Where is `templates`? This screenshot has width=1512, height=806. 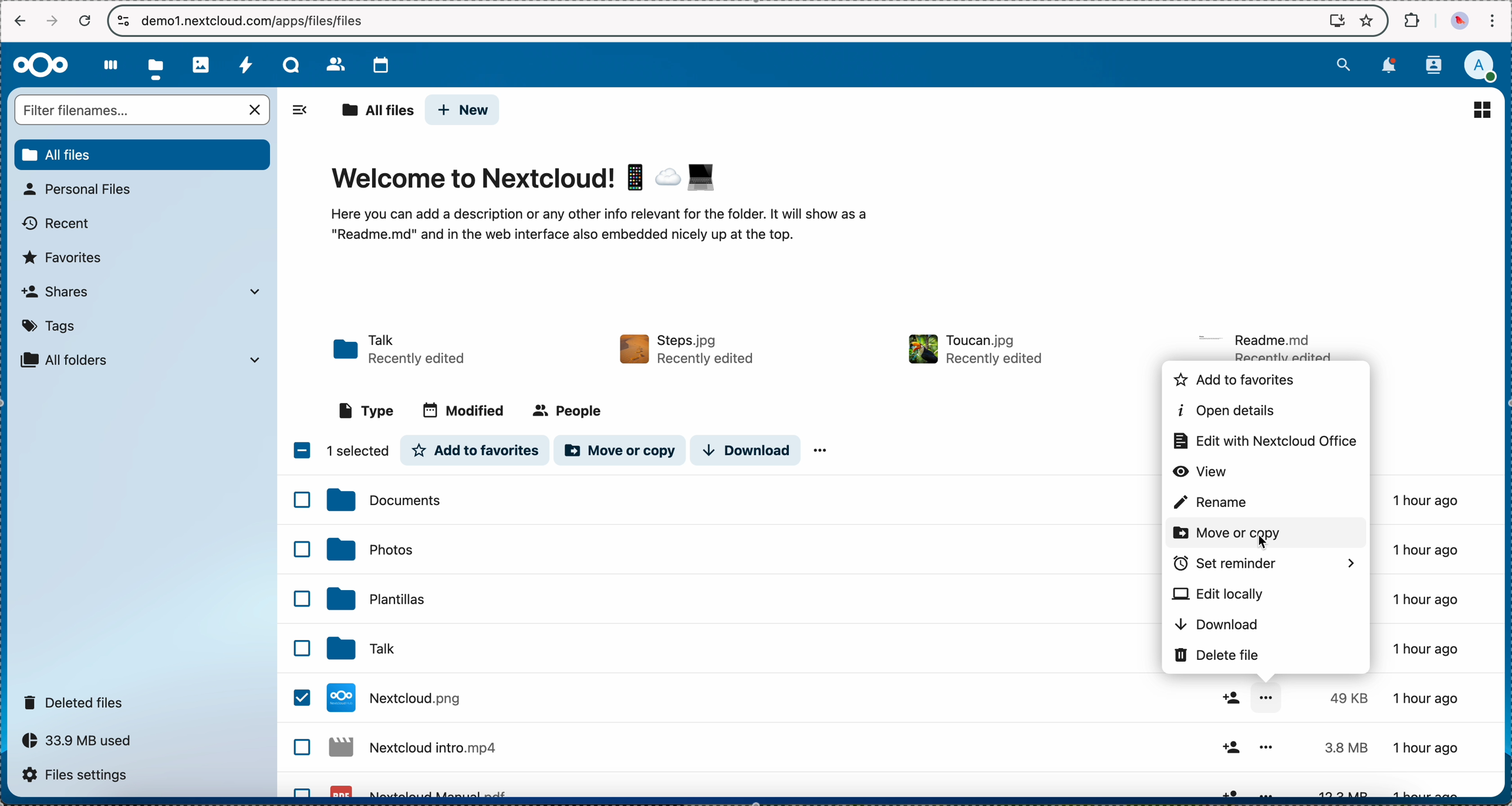
templates is located at coordinates (742, 598).